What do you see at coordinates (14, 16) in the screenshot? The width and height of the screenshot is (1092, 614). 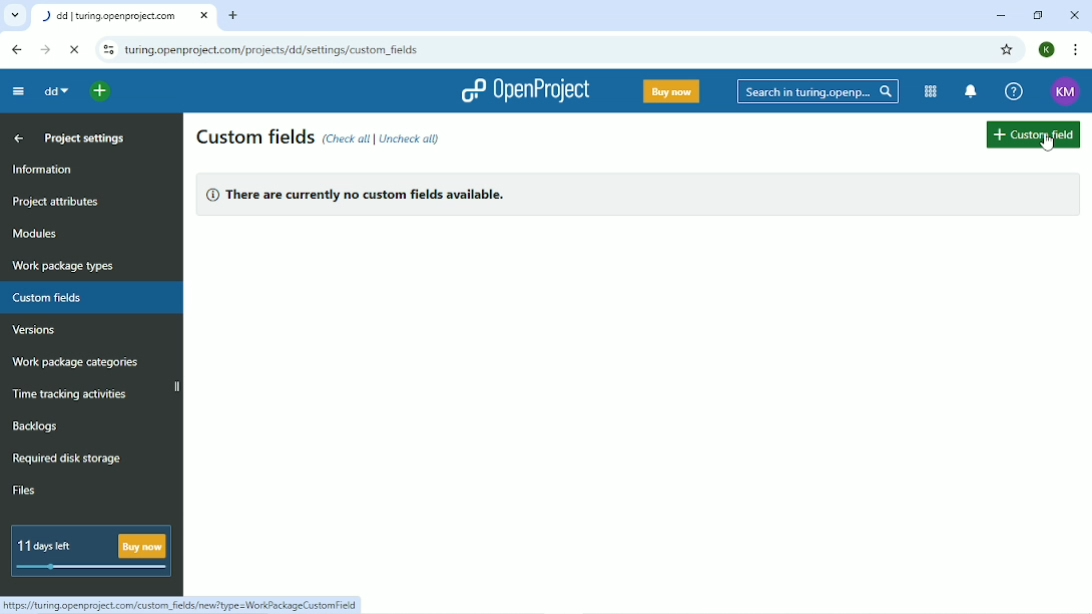 I see `Search tabs` at bounding box center [14, 16].